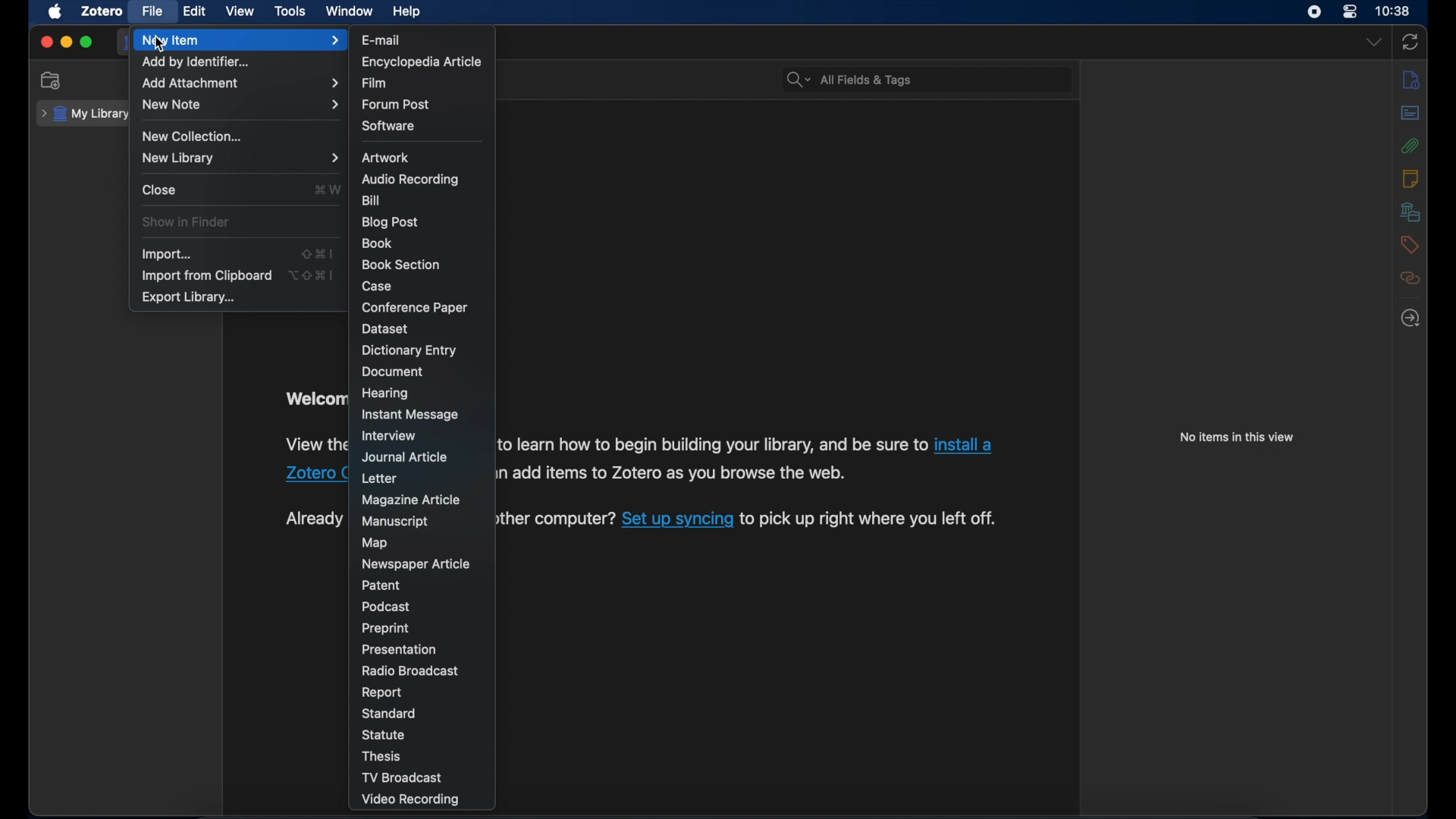  Describe the element at coordinates (315, 399) in the screenshot. I see `welcome` at that location.